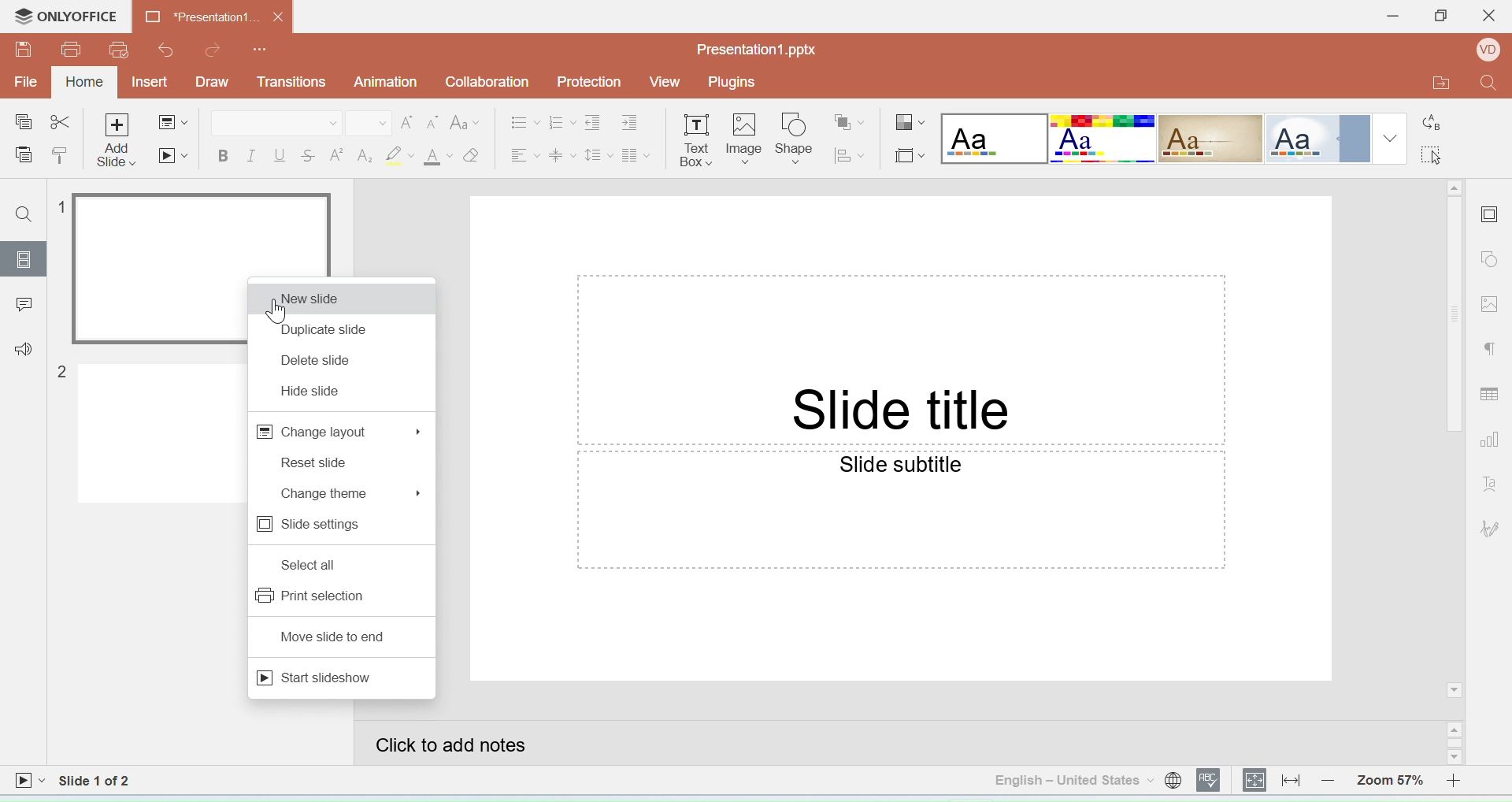  I want to click on Decrement font size, so click(432, 124).